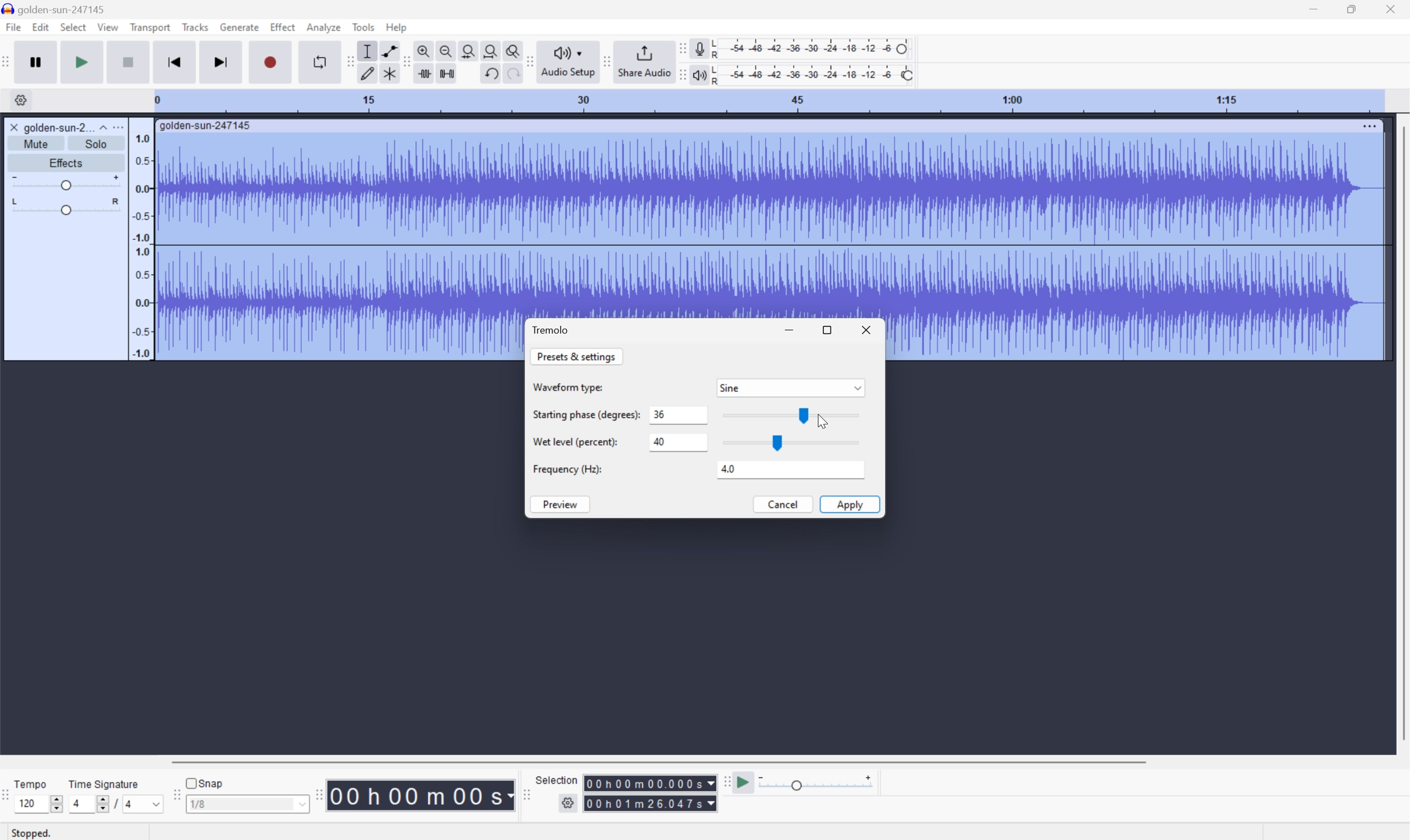 The height and width of the screenshot is (840, 1410). Describe the element at coordinates (827, 329) in the screenshot. I see `Restore Down` at that location.